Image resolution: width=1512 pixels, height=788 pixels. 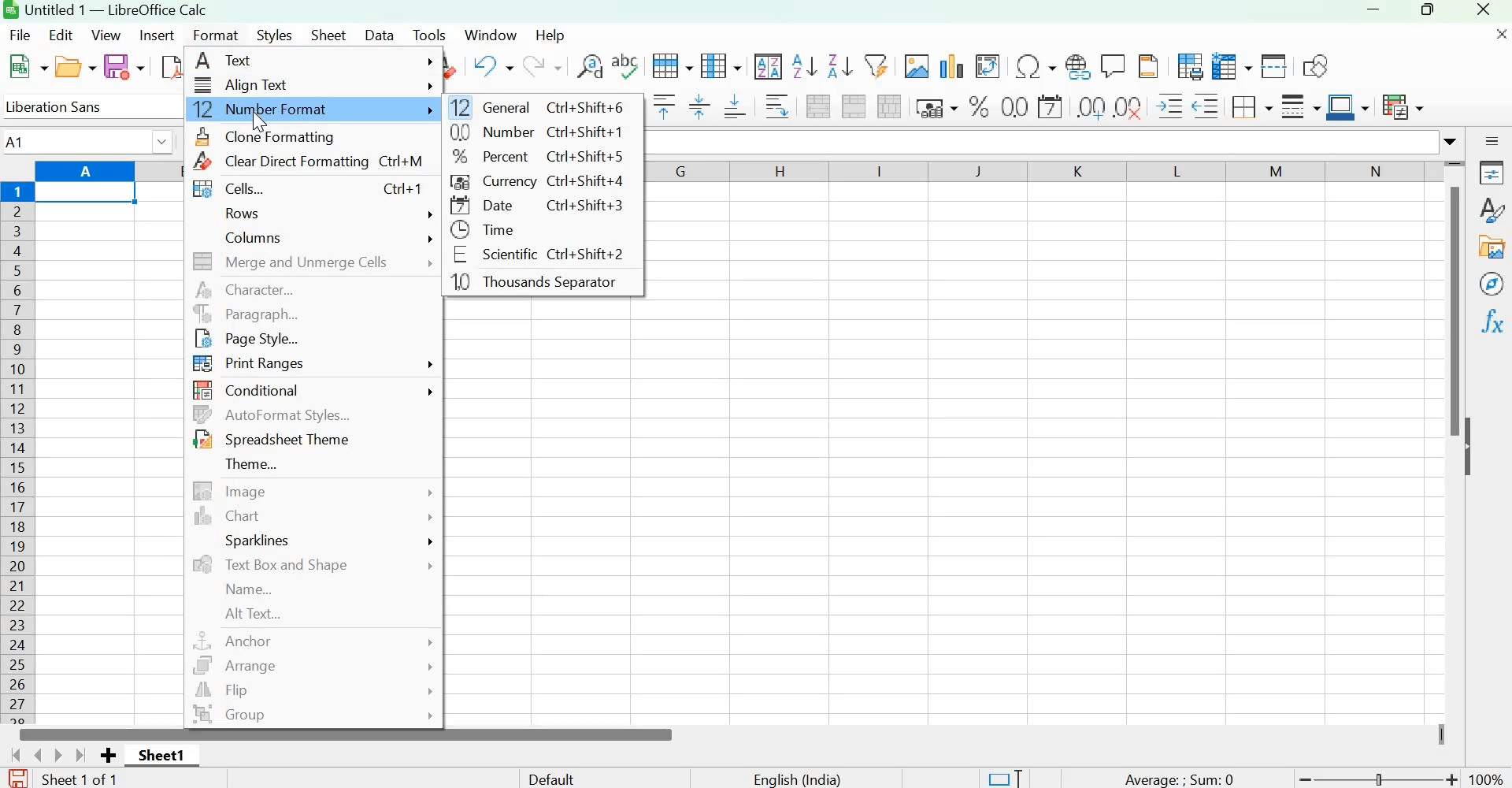 What do you see at coordinates (1472, 448) in the screenshot?
I see `Hide` at bounding box center [1472, 448].